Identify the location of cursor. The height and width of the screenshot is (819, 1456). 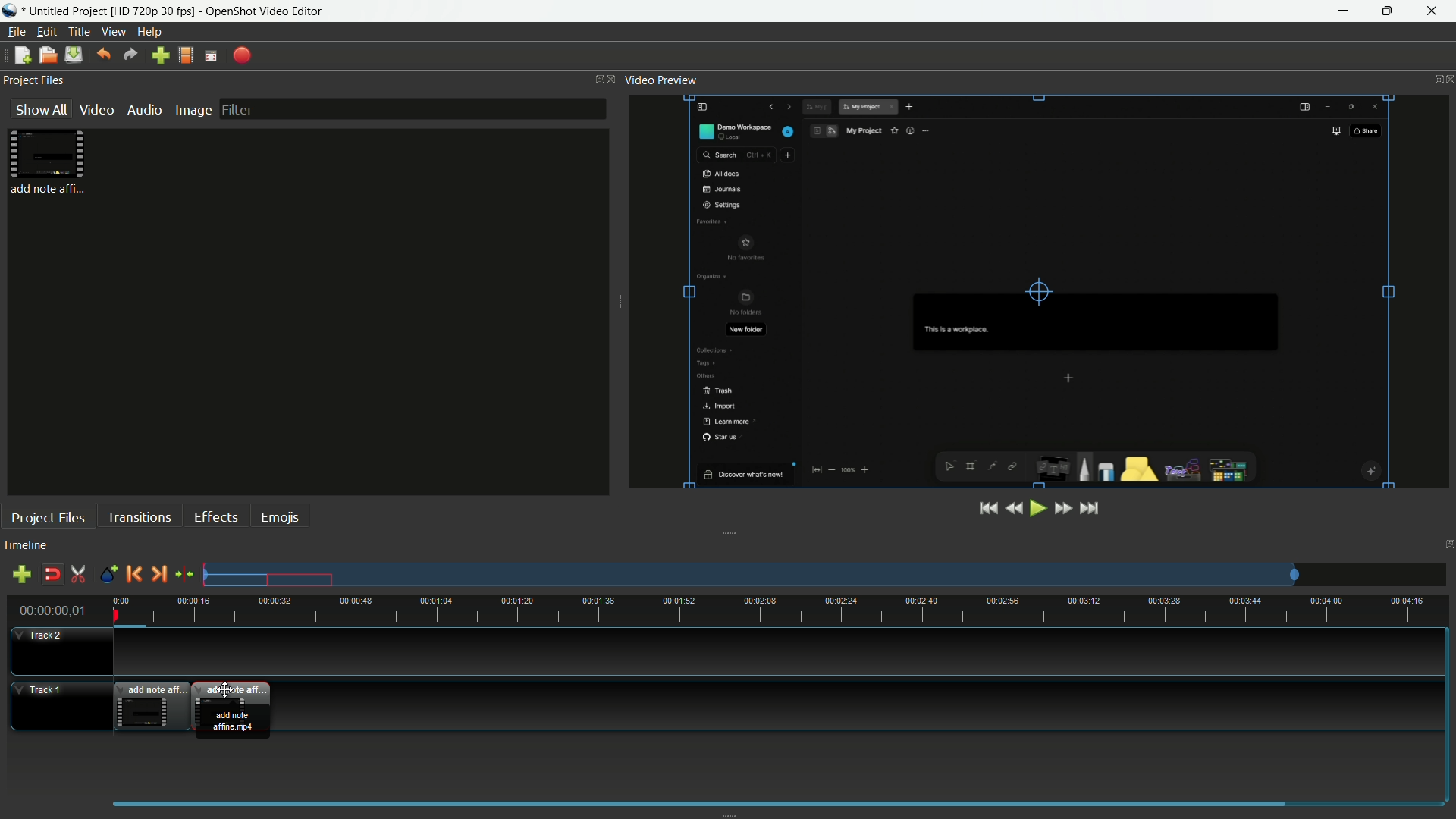
(226, 691).